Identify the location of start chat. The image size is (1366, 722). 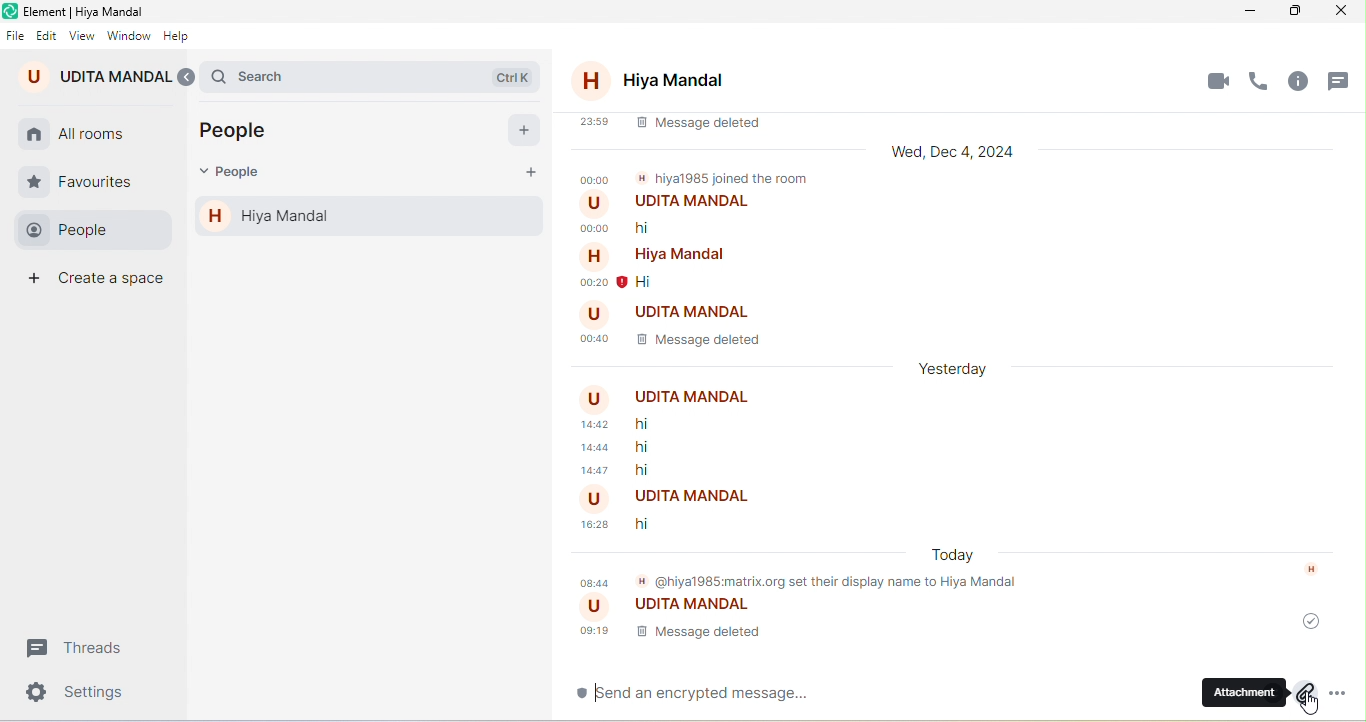
(528, 175).